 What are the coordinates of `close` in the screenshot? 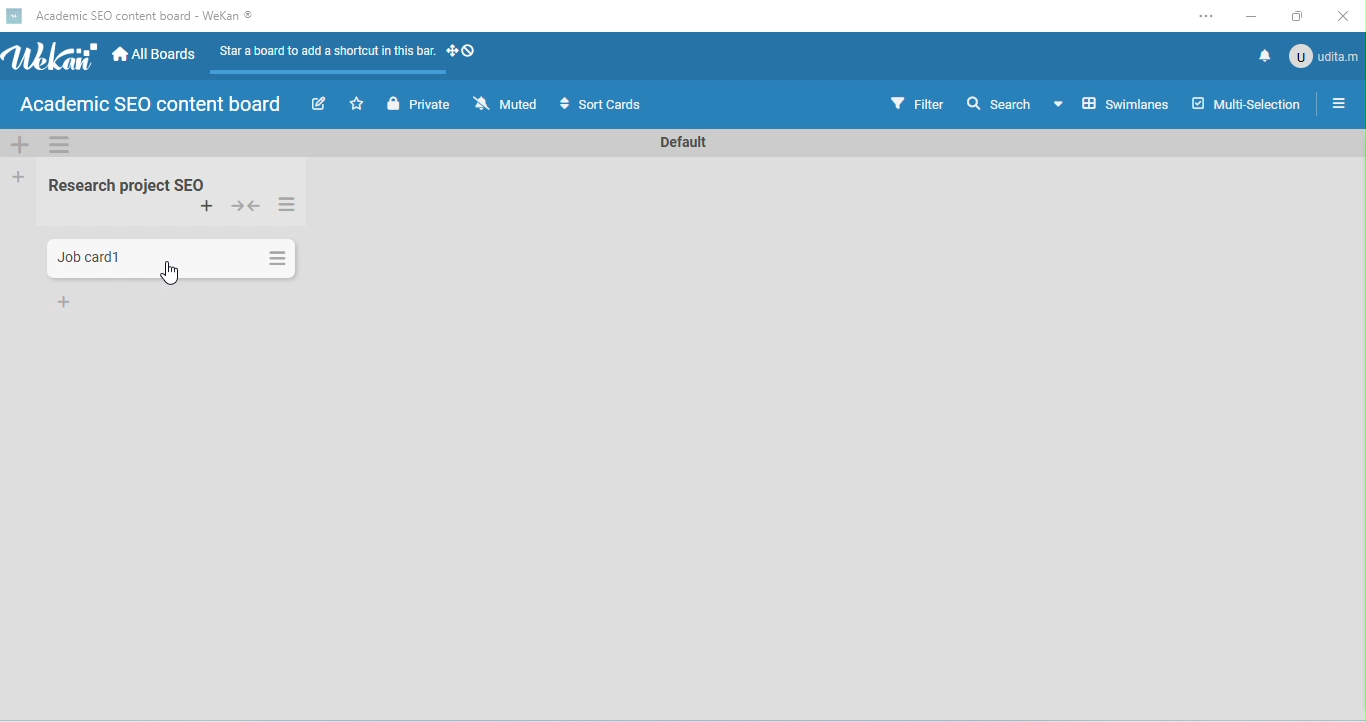 It's located at (1342, 17).